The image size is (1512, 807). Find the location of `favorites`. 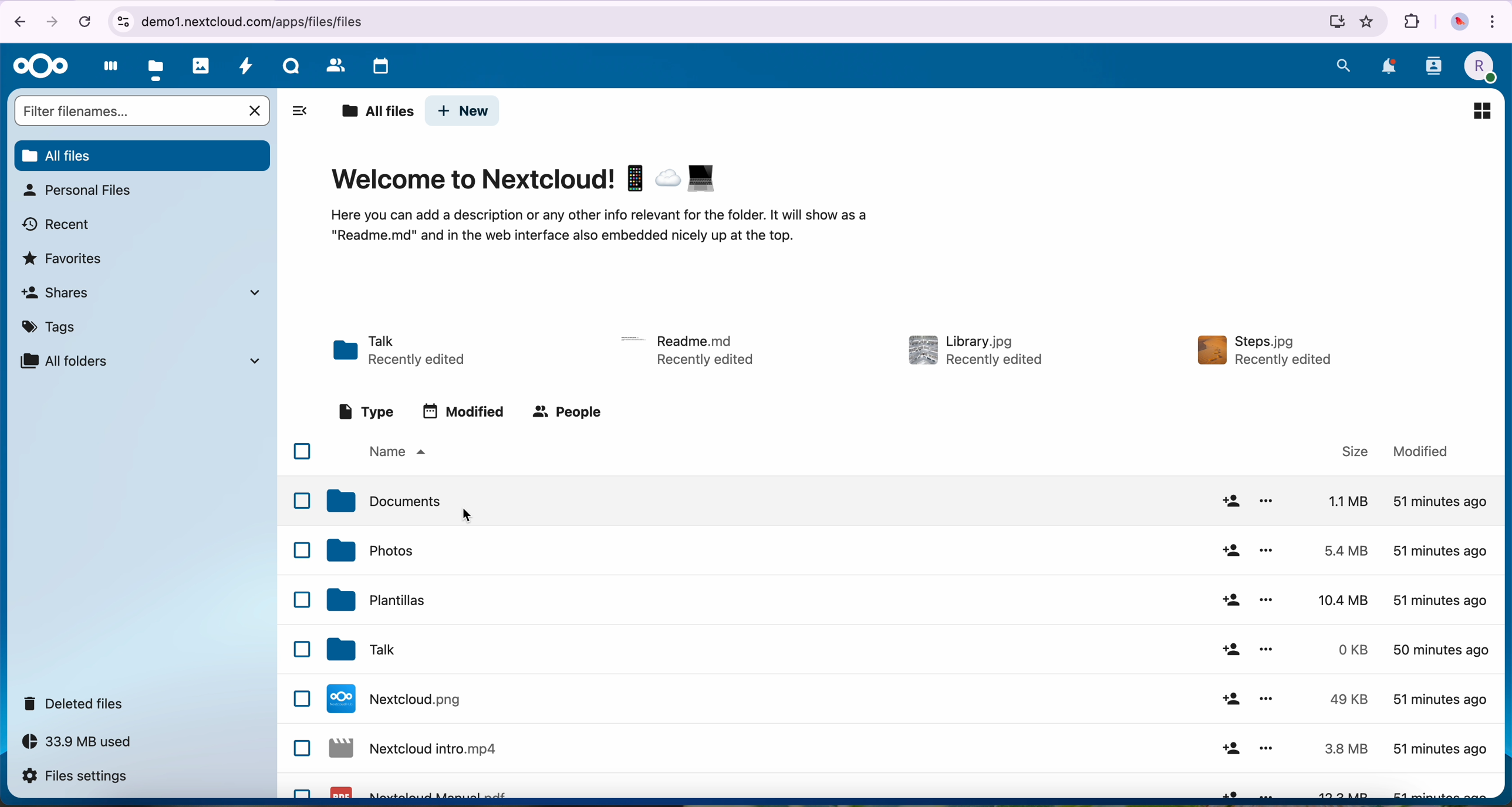

favorites is located at coordinates (65, 257).